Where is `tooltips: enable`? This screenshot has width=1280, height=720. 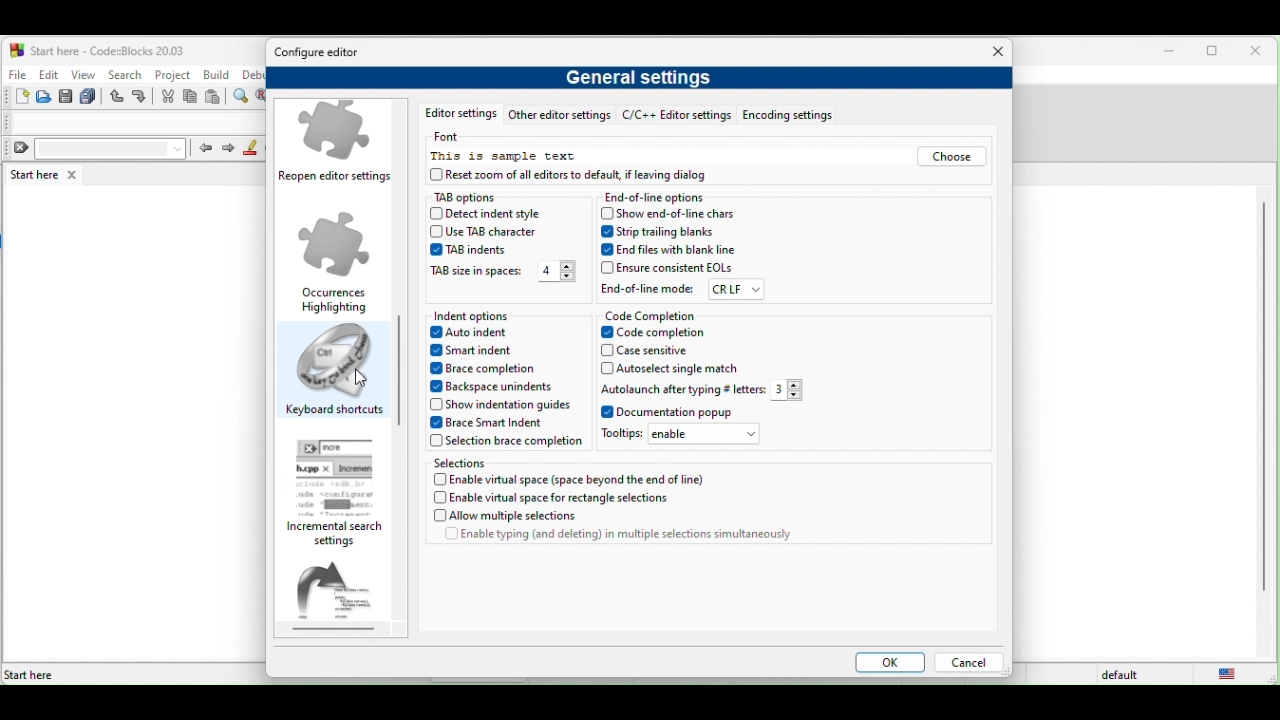 tooltips: enable is located at coordinates (686, 437).